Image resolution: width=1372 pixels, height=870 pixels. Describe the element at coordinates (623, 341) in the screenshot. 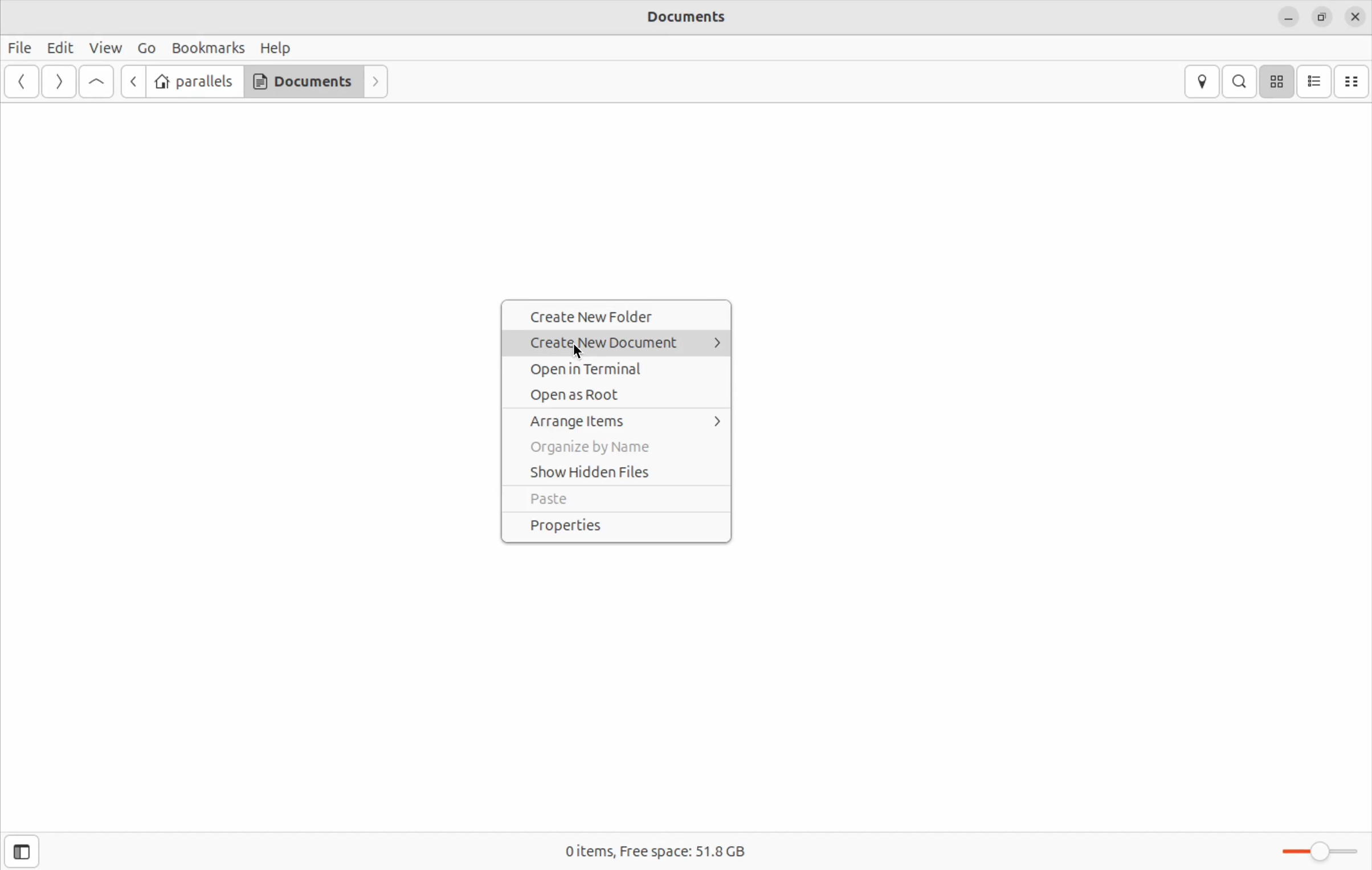

I see `Create New Document` at that location.